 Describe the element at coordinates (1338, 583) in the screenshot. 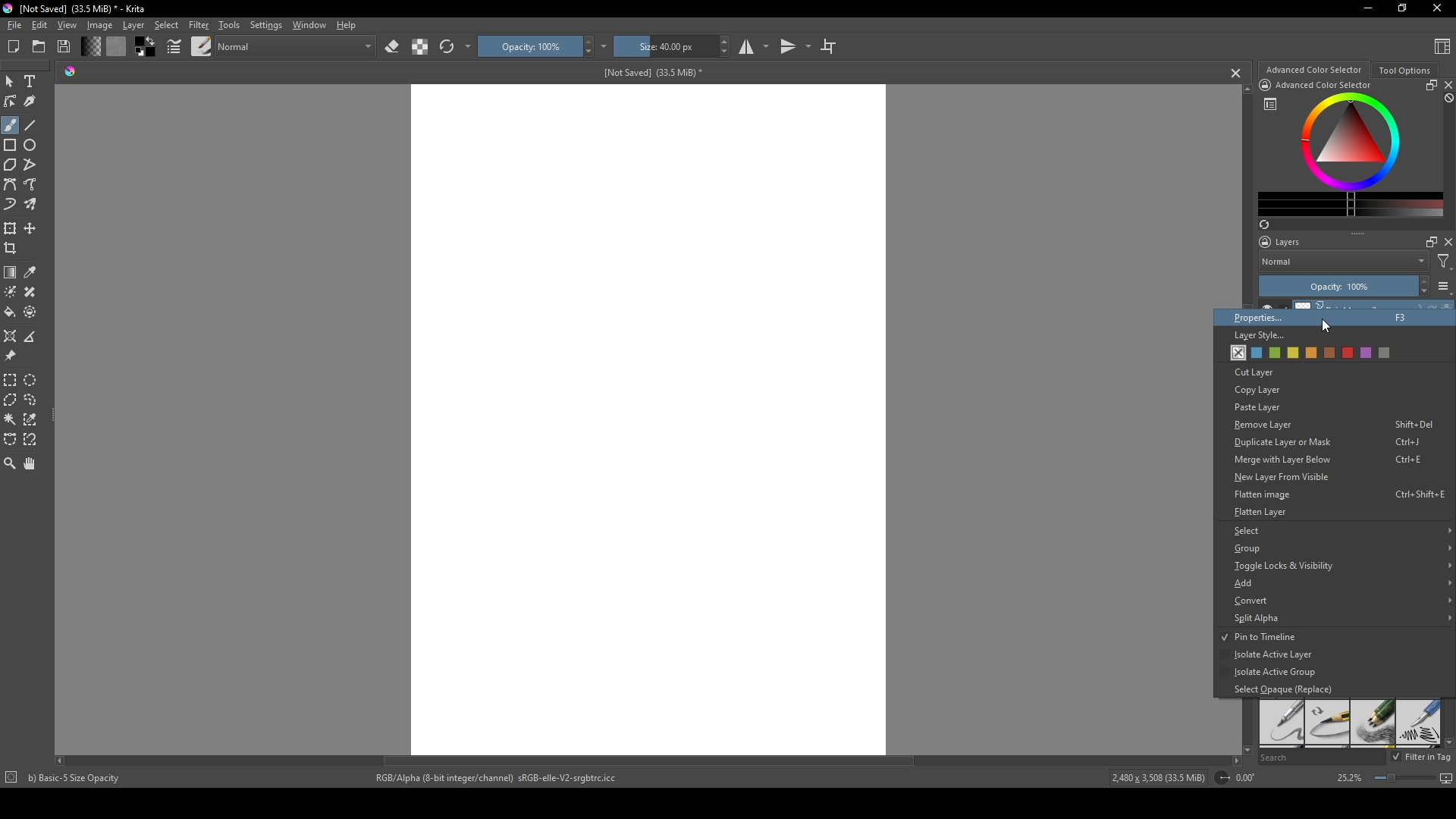

I see `Add` at that location.